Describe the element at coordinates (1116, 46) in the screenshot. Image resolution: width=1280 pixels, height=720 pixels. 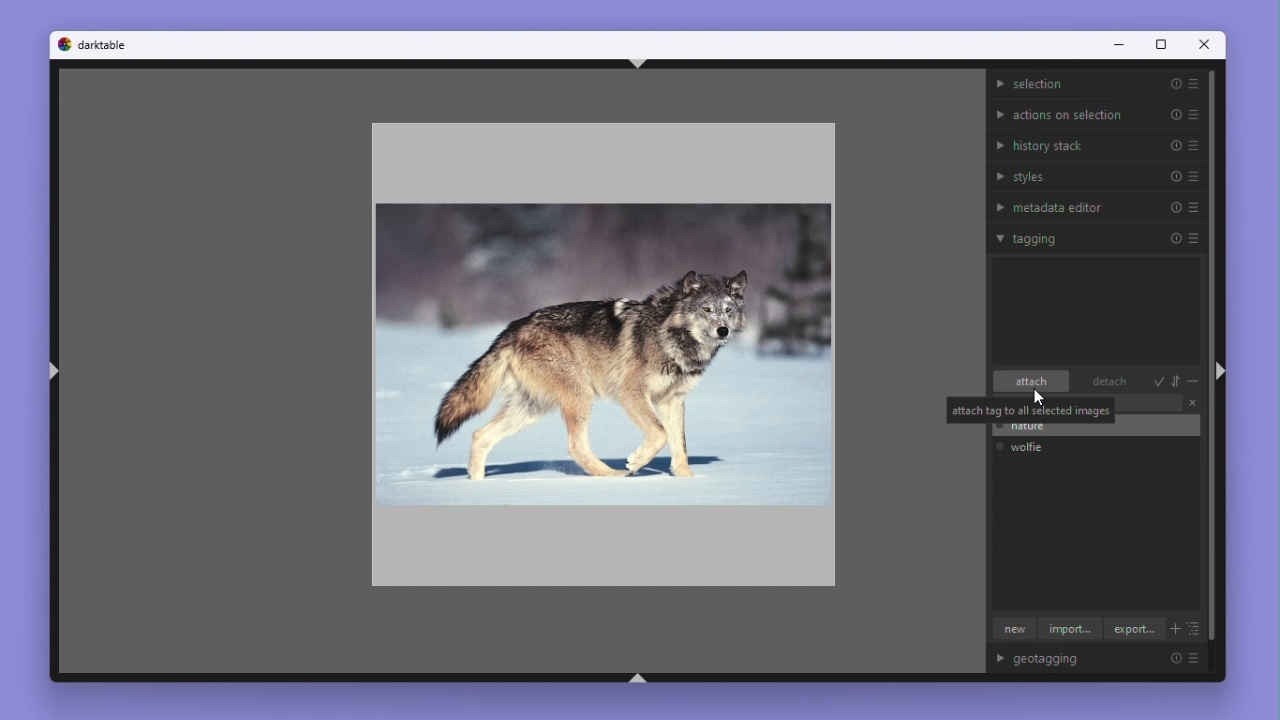
I see `Minimise` at that location.